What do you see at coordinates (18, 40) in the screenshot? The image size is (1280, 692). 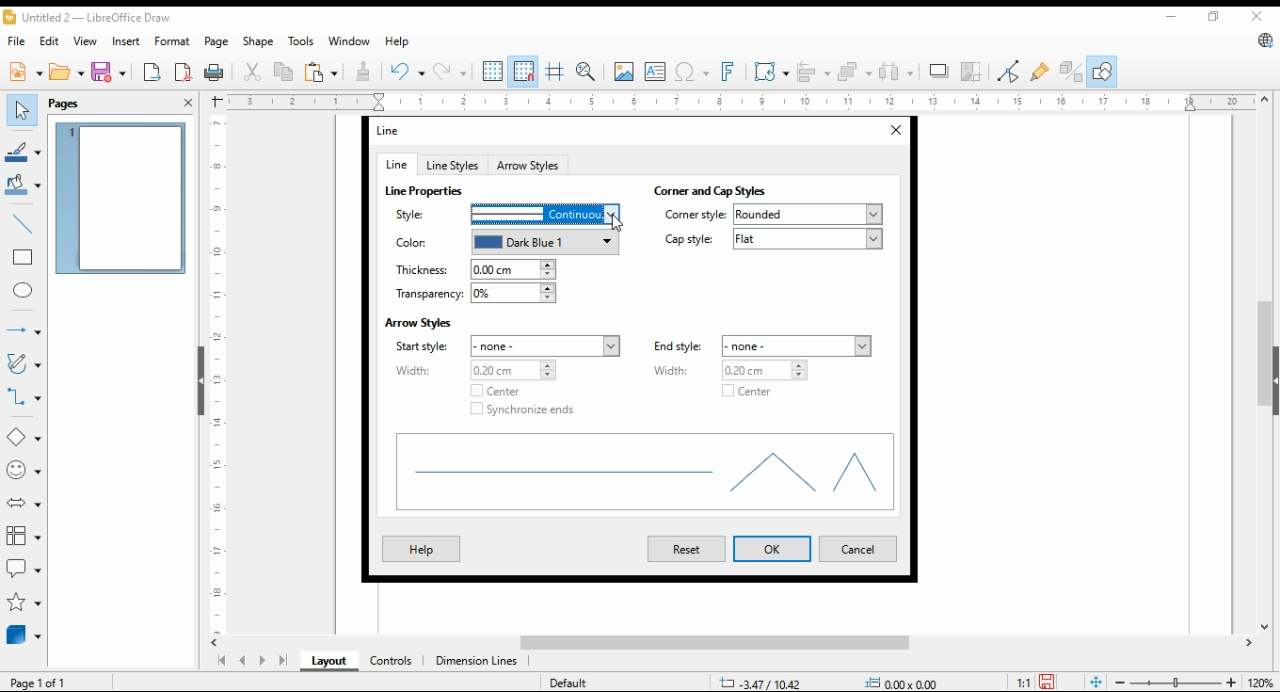 I see `file` at bounding box center [18, 40].